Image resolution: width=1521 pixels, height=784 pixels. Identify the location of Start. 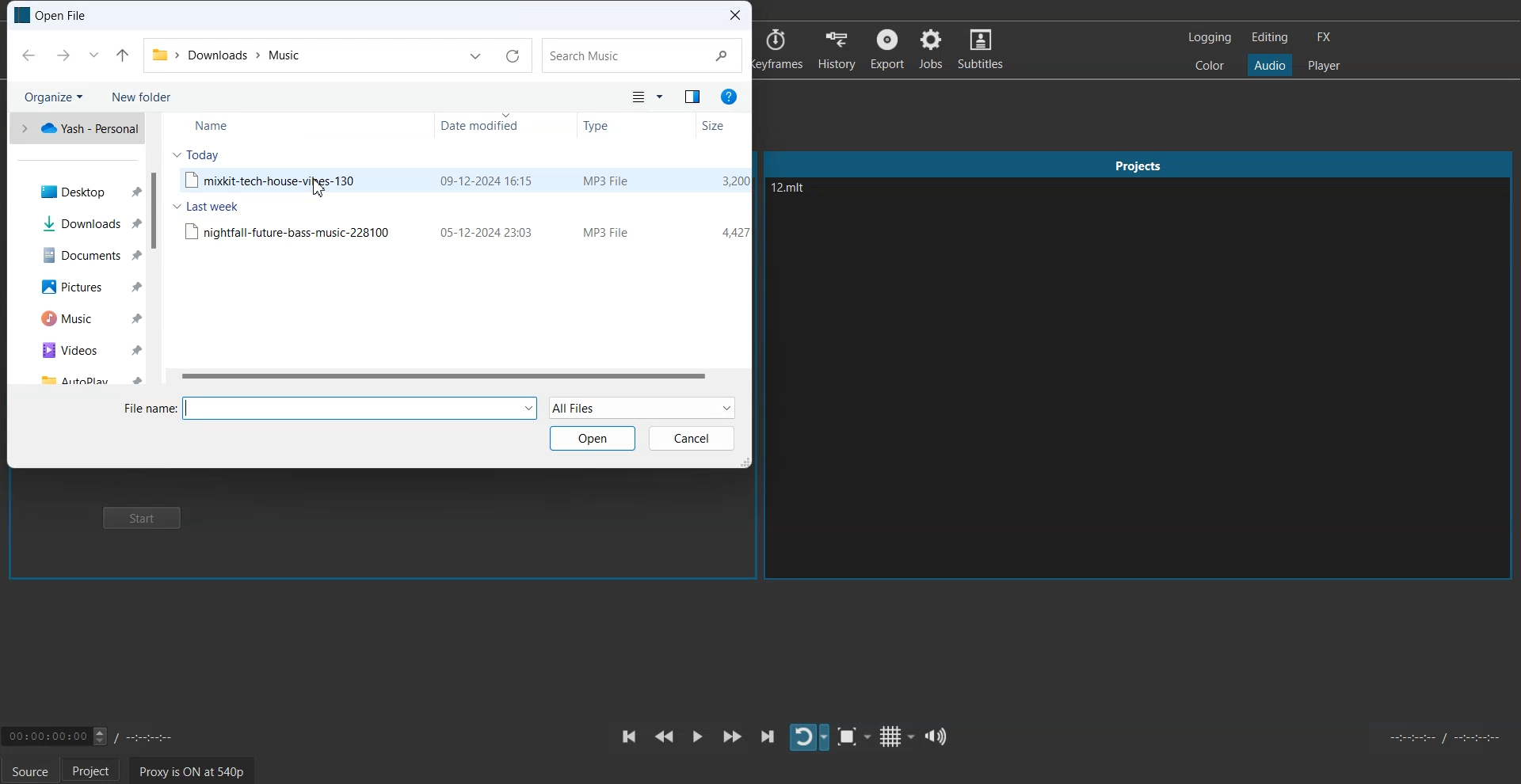
(147, 519).